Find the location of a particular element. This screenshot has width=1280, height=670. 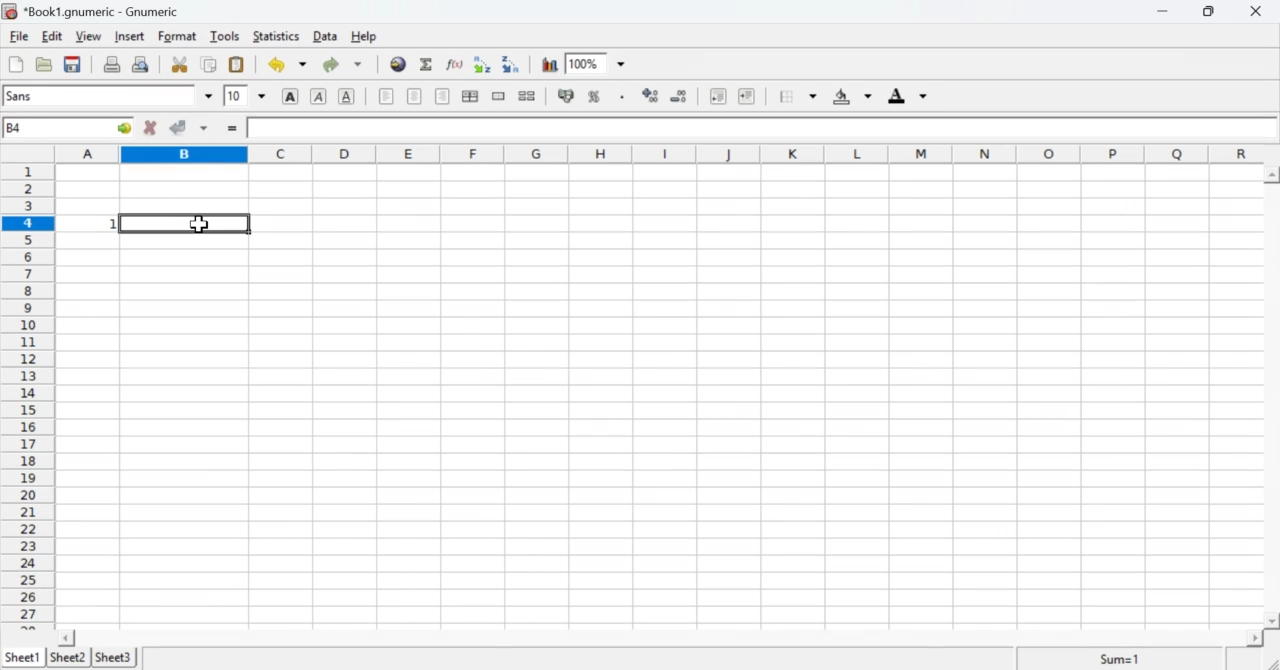

scroll left is located at coordinates (66, 638).